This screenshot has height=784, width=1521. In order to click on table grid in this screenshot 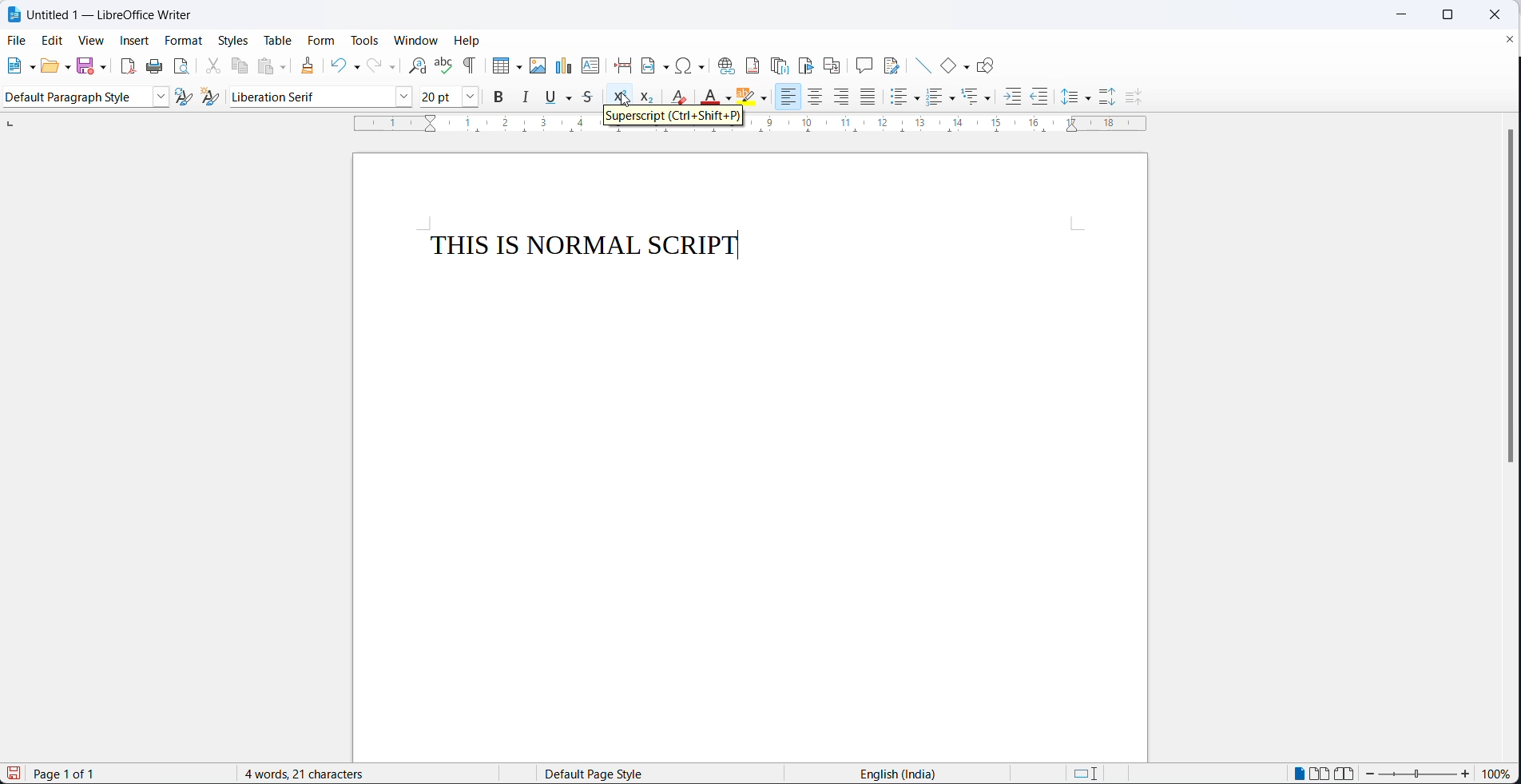, I will do `click(518, 67)`.